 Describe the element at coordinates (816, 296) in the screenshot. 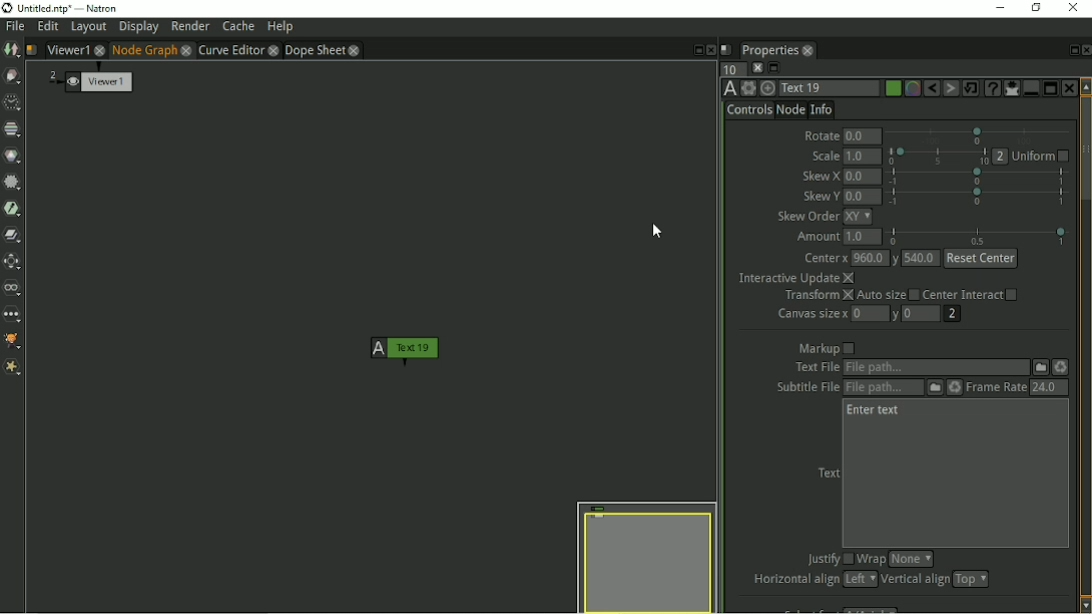

I see `Transform` at that location.